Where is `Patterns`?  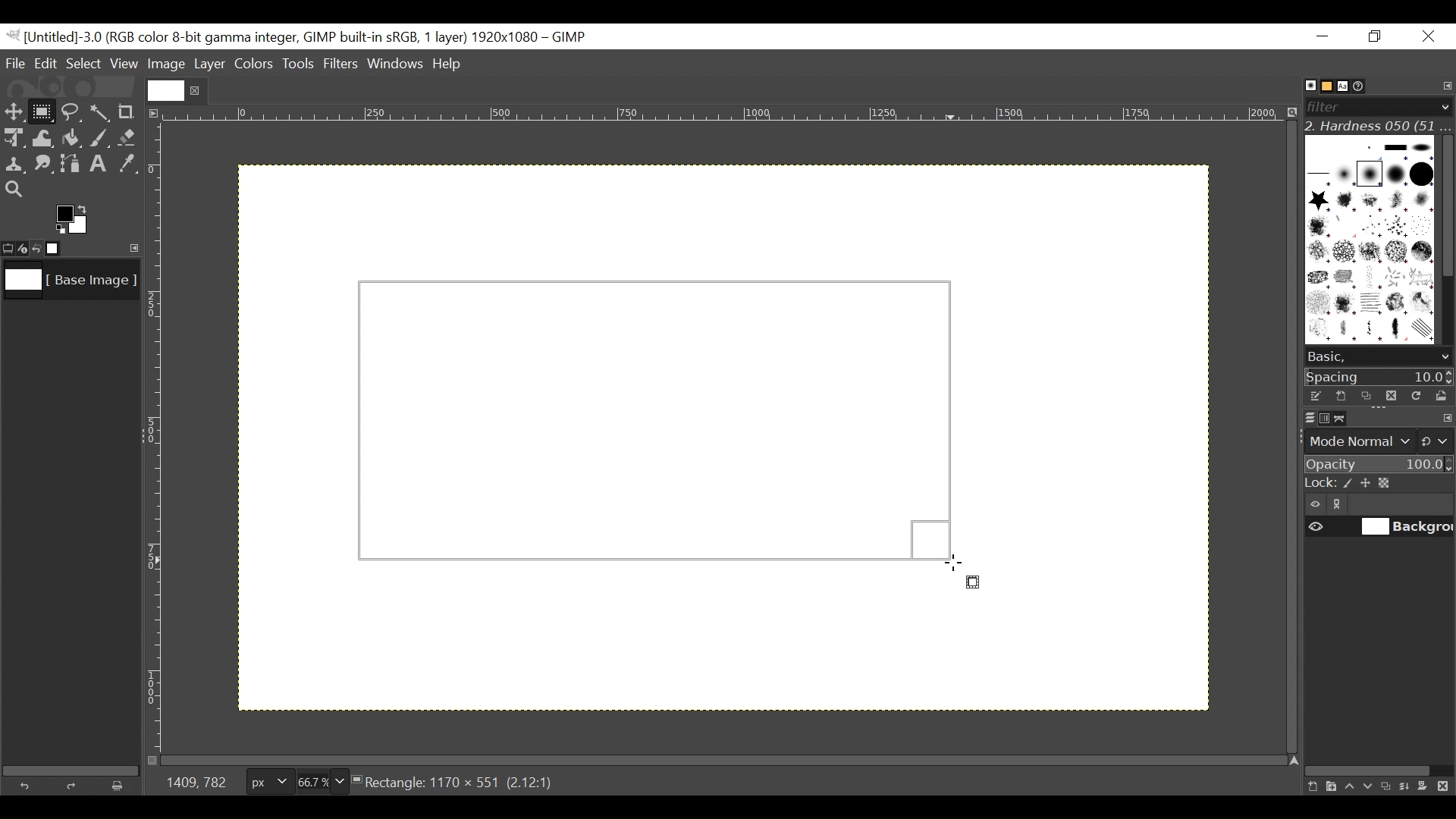
Patterns is located at coordinates (1370, 243).